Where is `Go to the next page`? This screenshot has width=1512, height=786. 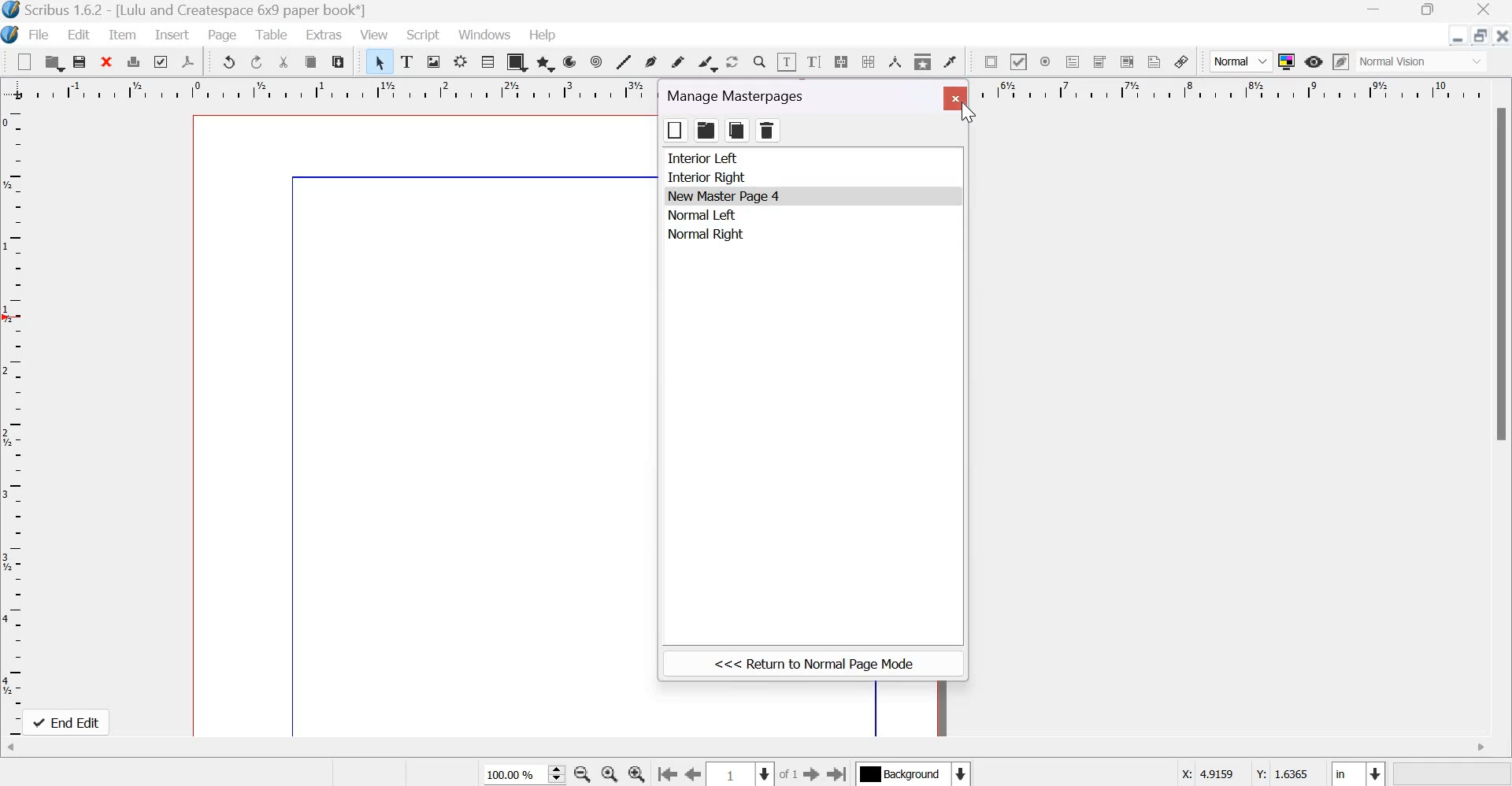 Go to the next page is located at coordinates (812, 773).